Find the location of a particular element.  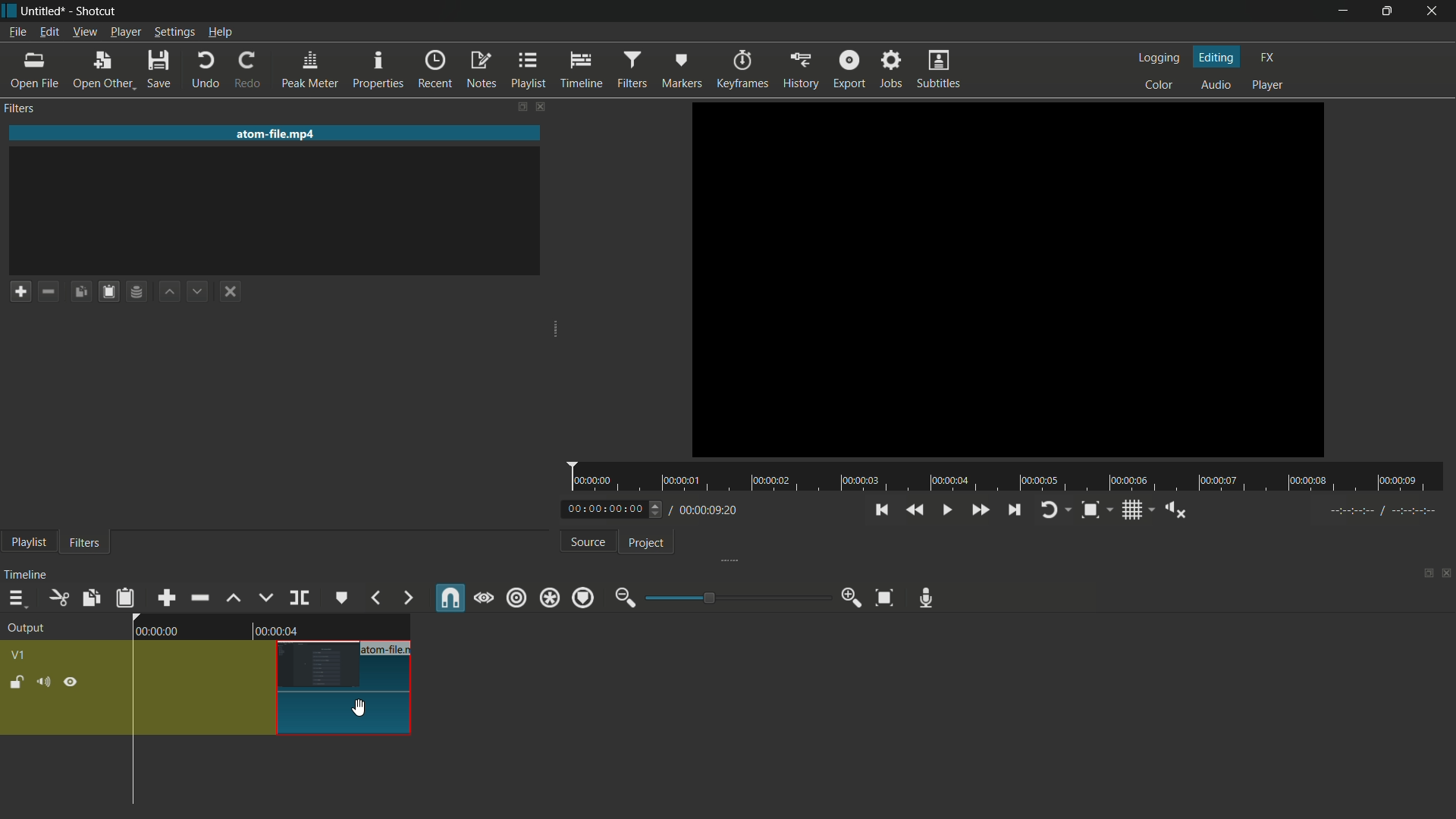

minimize is located at coordinates (1339, 11).